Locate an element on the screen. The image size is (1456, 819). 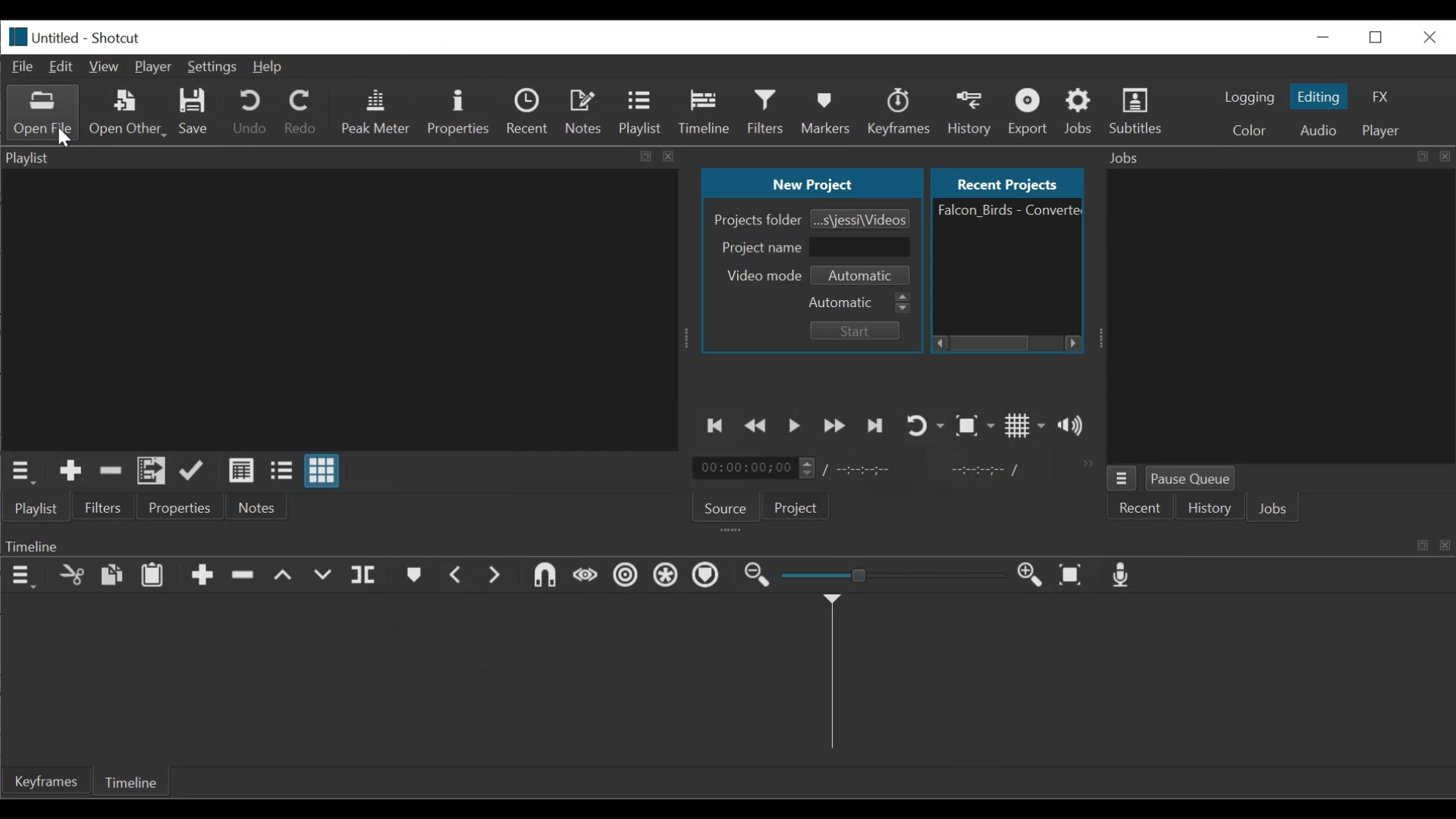
Properties is located at coordinates (458, 113).